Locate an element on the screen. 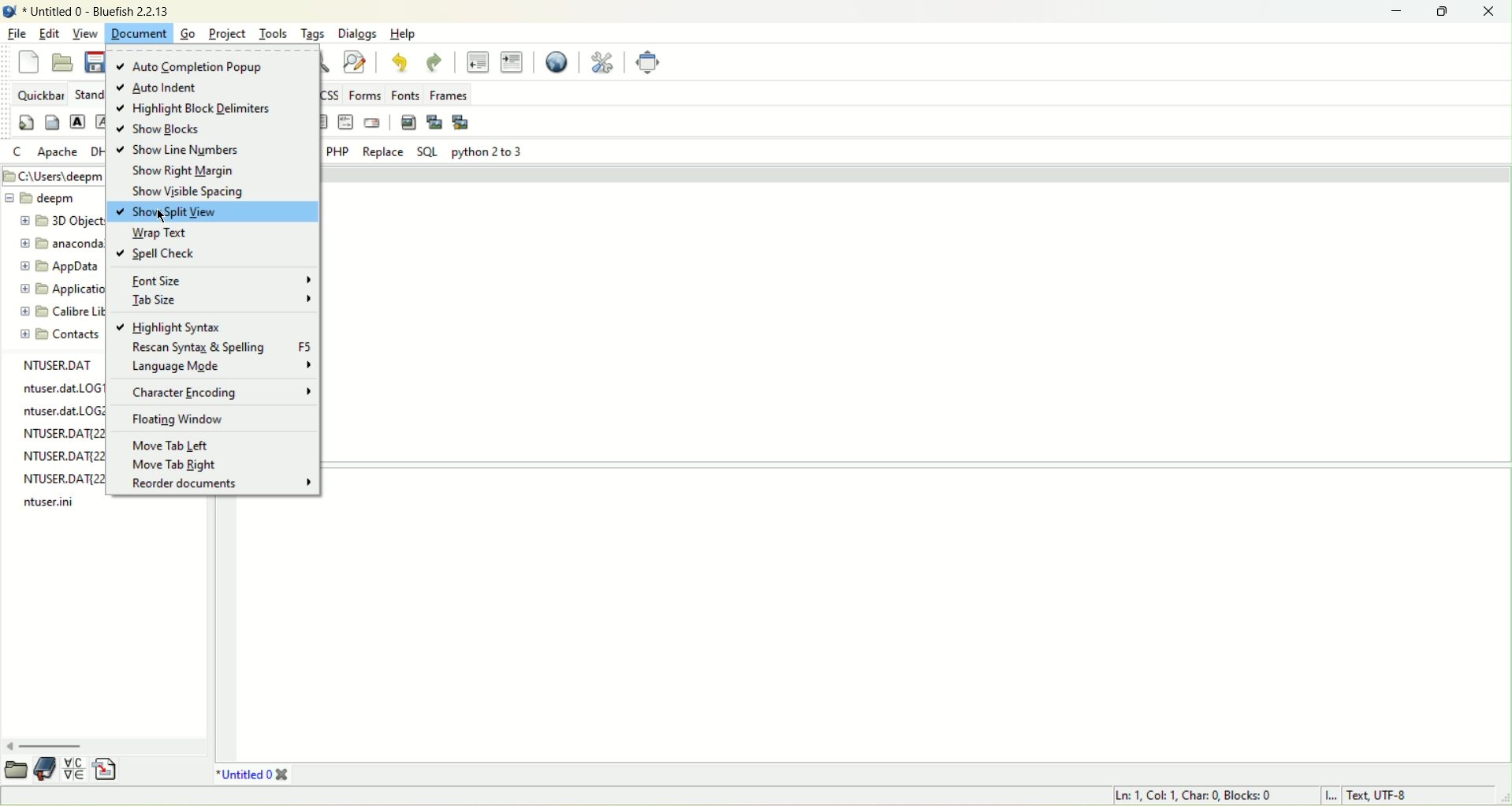 This screenshot has height=806, width=1512. tools is located at coordinates (274, 35).